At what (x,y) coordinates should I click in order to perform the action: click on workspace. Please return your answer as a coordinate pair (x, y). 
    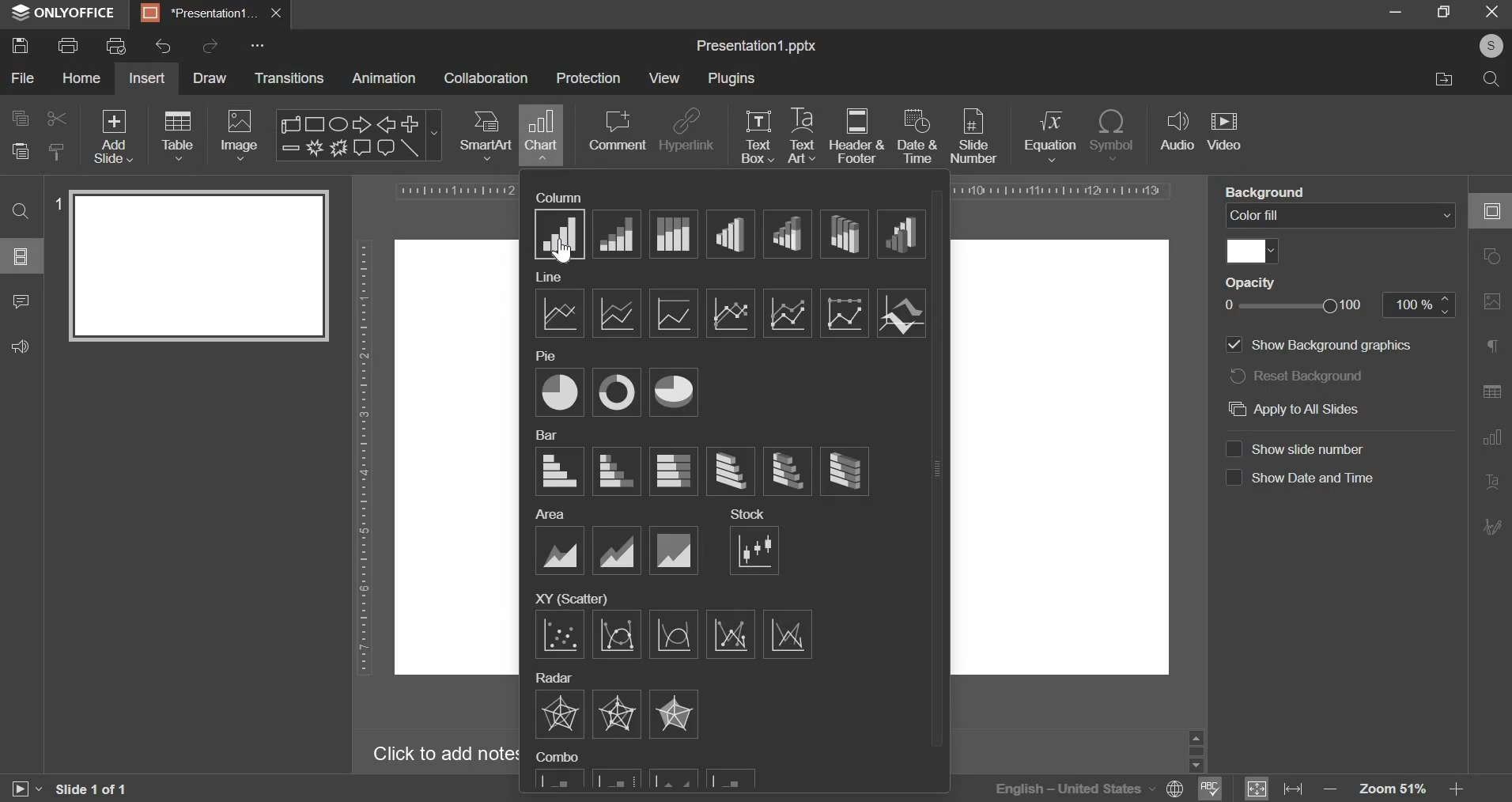
    Looking at the image, I should click on (458, 459).